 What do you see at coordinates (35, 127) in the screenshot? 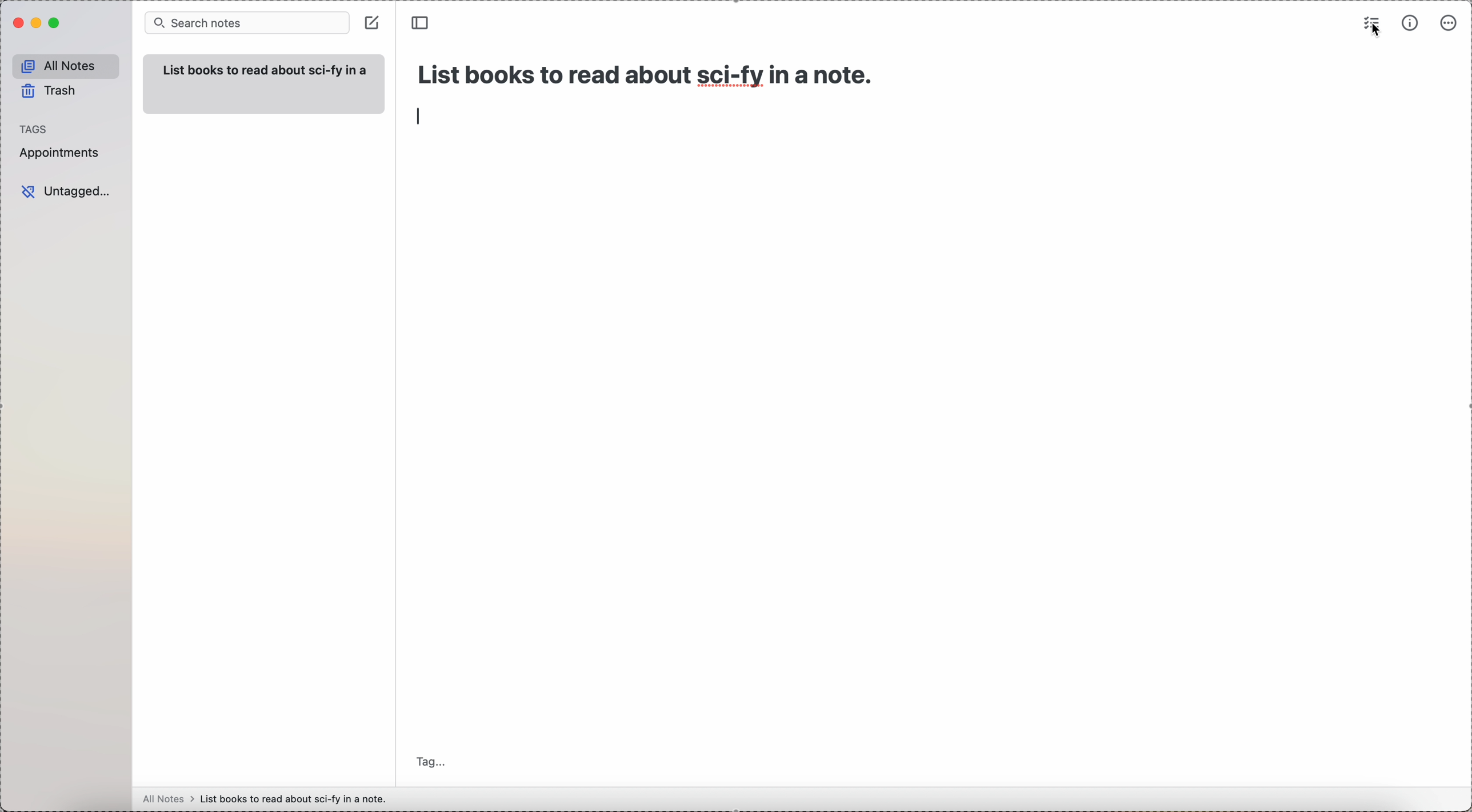
I see `tags` at bounding box center [35, 127].